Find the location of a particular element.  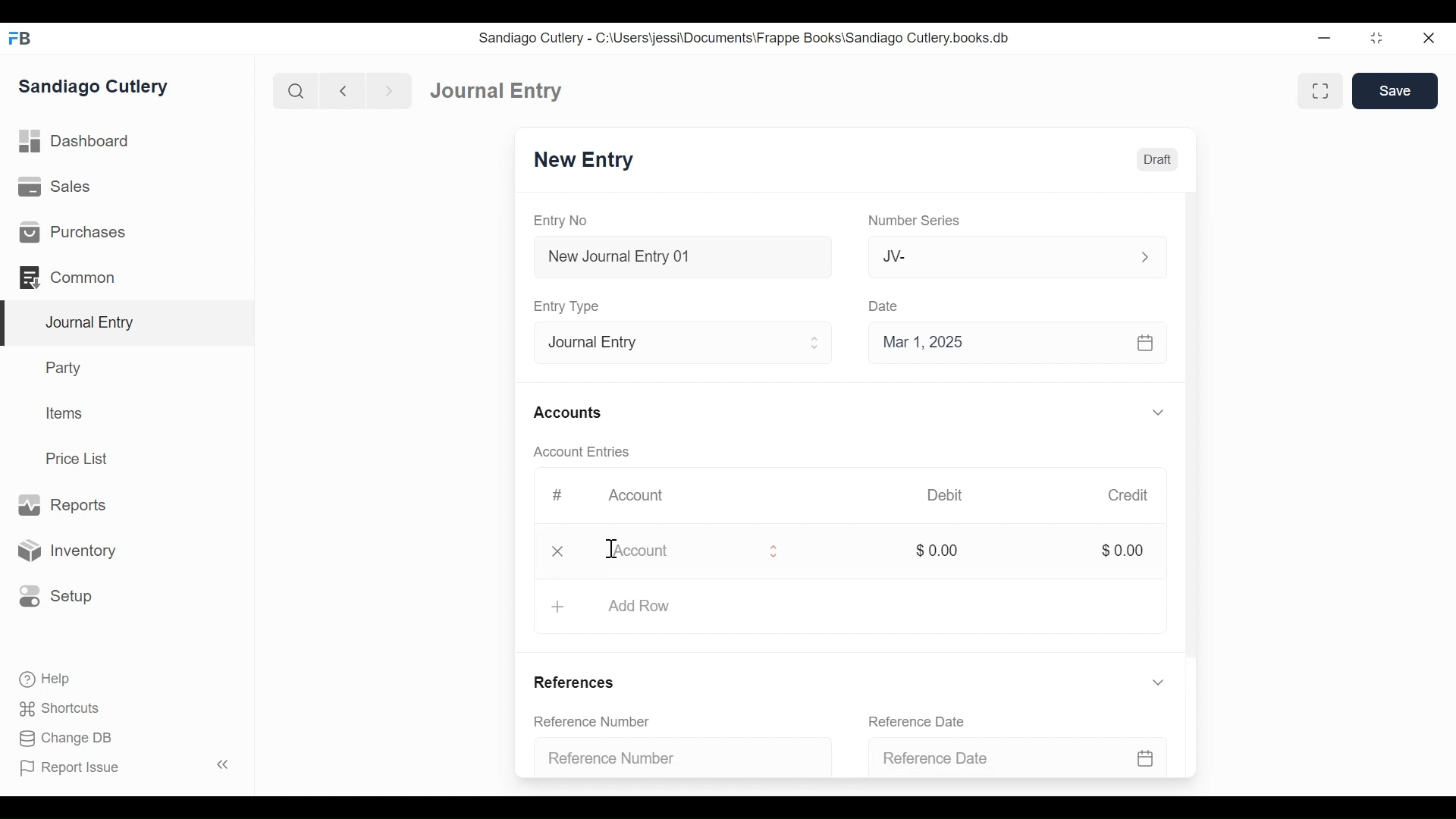

Account is located at coordinates (708, 551).